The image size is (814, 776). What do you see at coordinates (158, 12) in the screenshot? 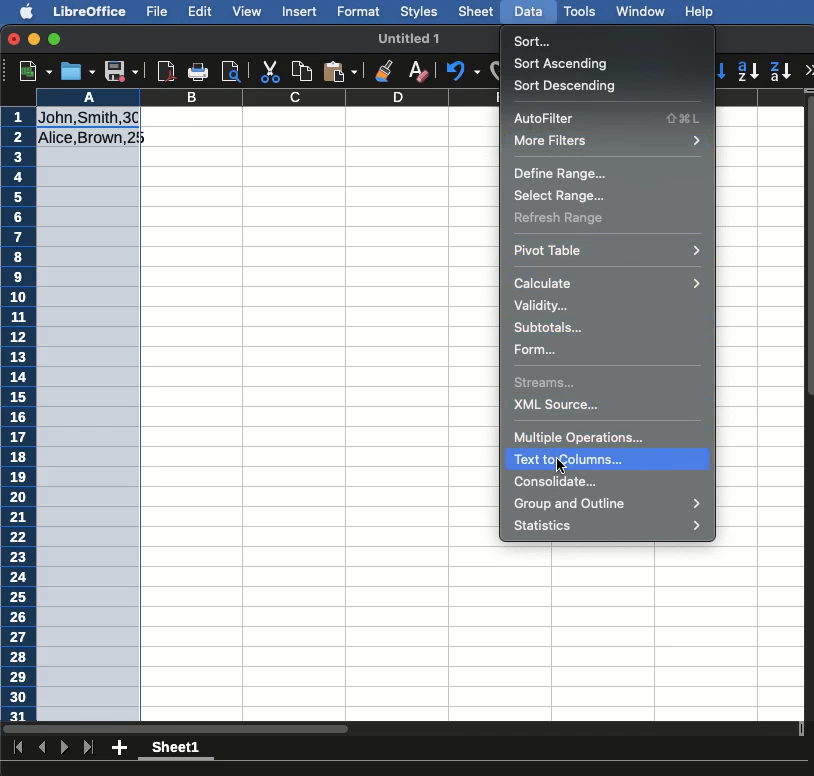
I see `File` at bounding box center [158, 12].